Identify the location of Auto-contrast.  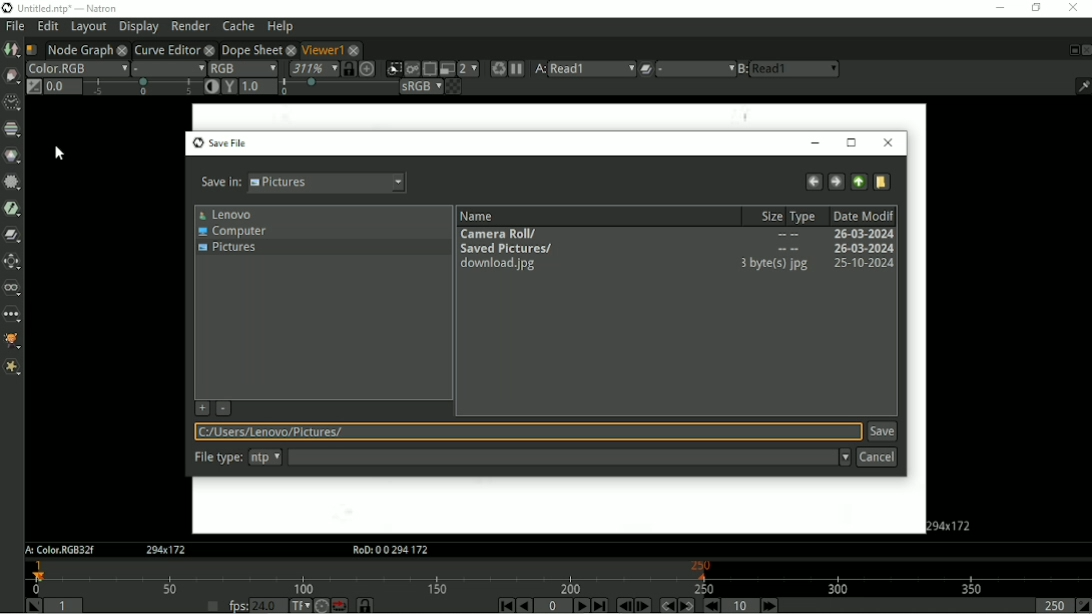
(210, 87).